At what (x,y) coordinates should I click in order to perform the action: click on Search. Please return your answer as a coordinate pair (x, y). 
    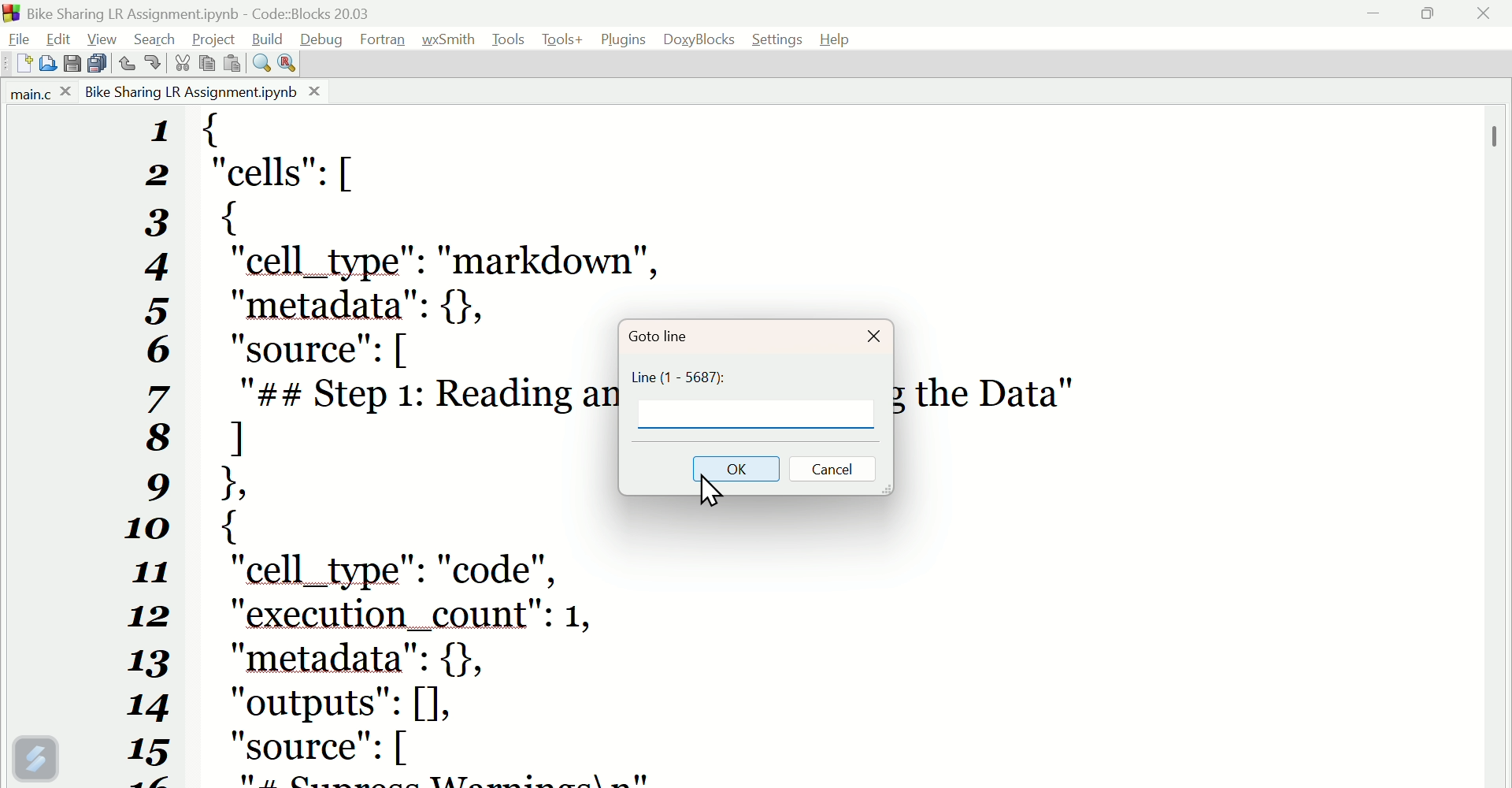
    Looking at the image, I should click on (159, 36).